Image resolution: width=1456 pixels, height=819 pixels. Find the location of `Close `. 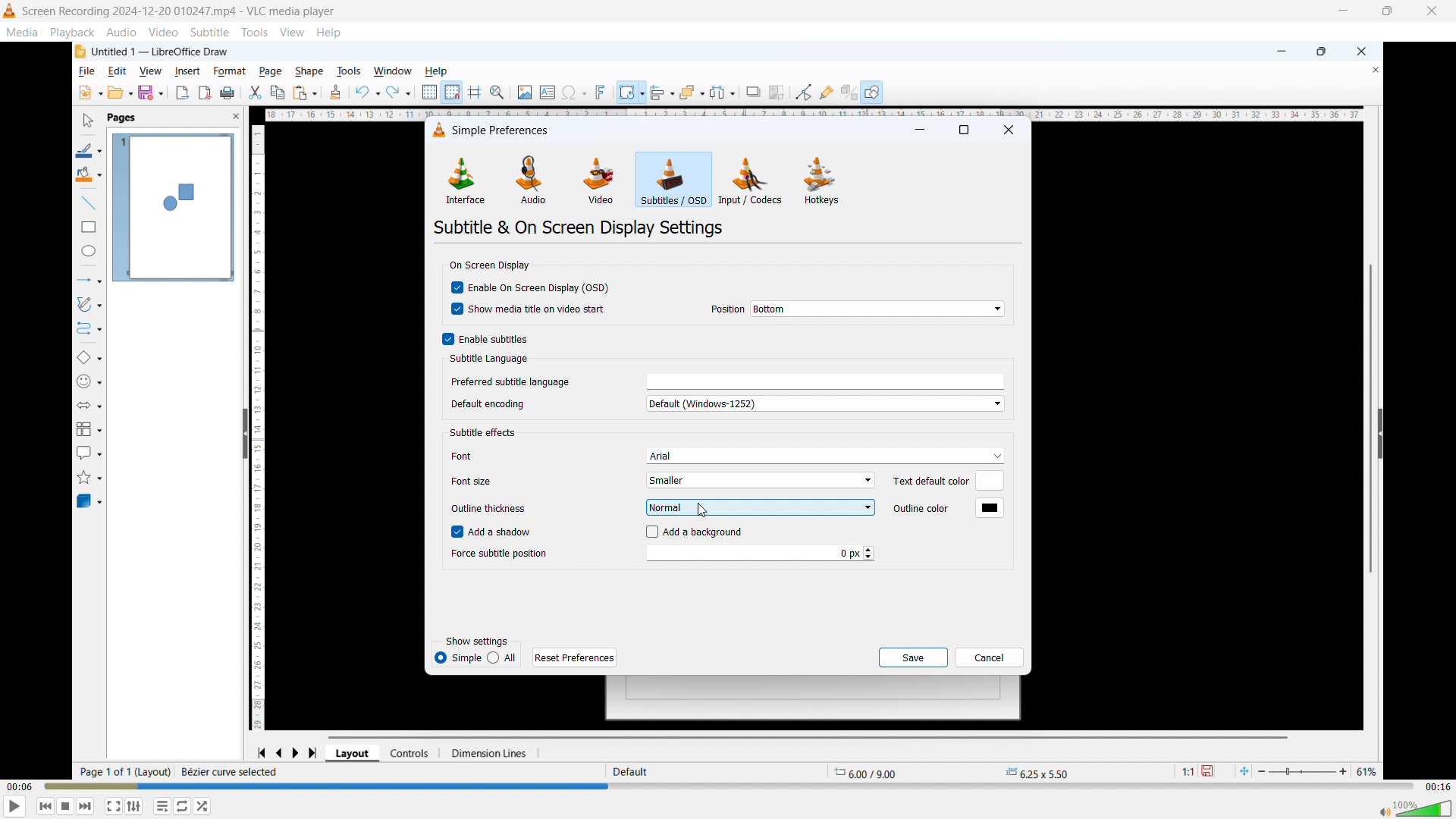

Close  is located at coordinates (1010, 130).